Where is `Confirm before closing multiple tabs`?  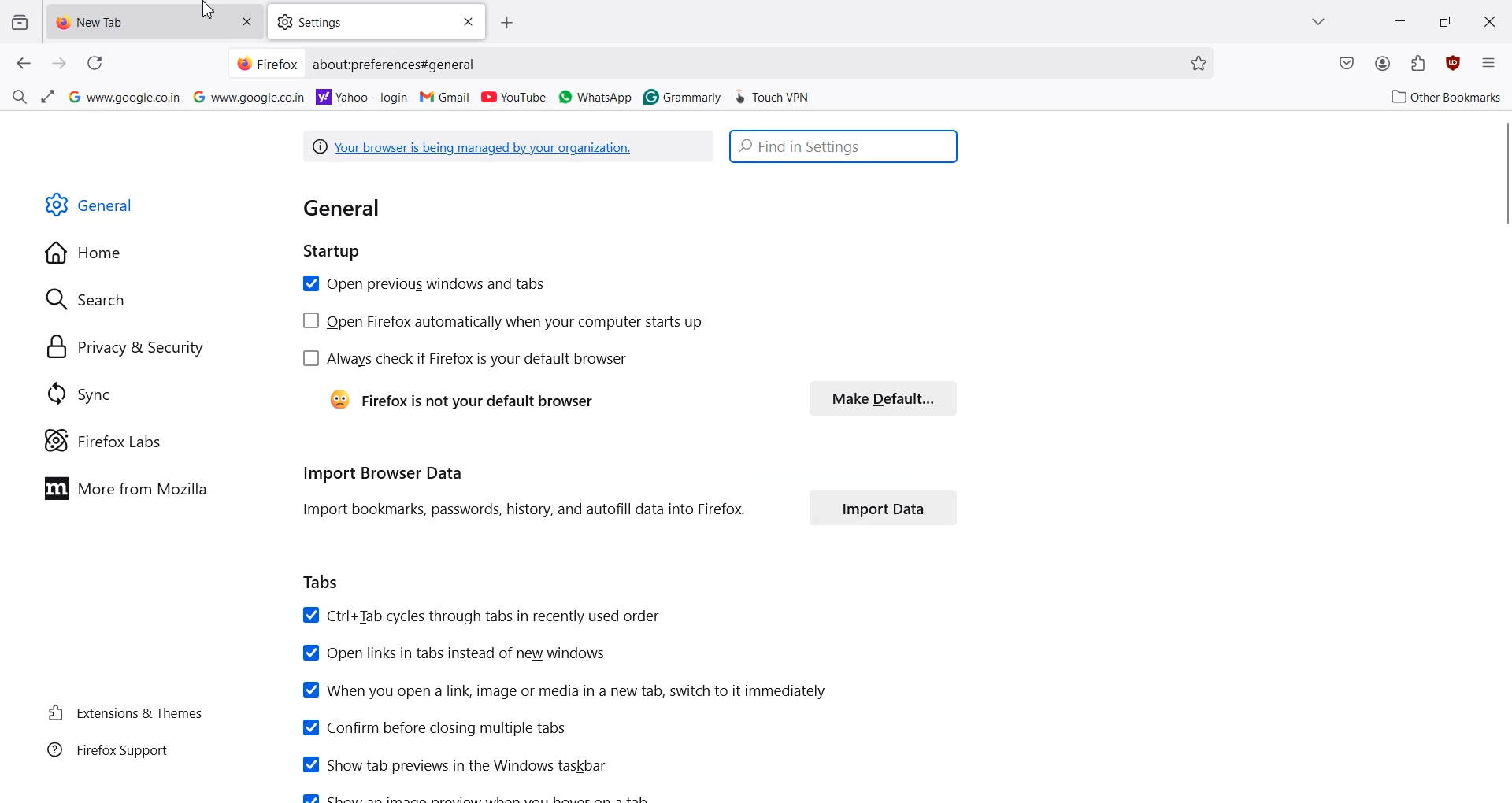
Confirm before closing multiple tabs is located at coordinates (433, 727).